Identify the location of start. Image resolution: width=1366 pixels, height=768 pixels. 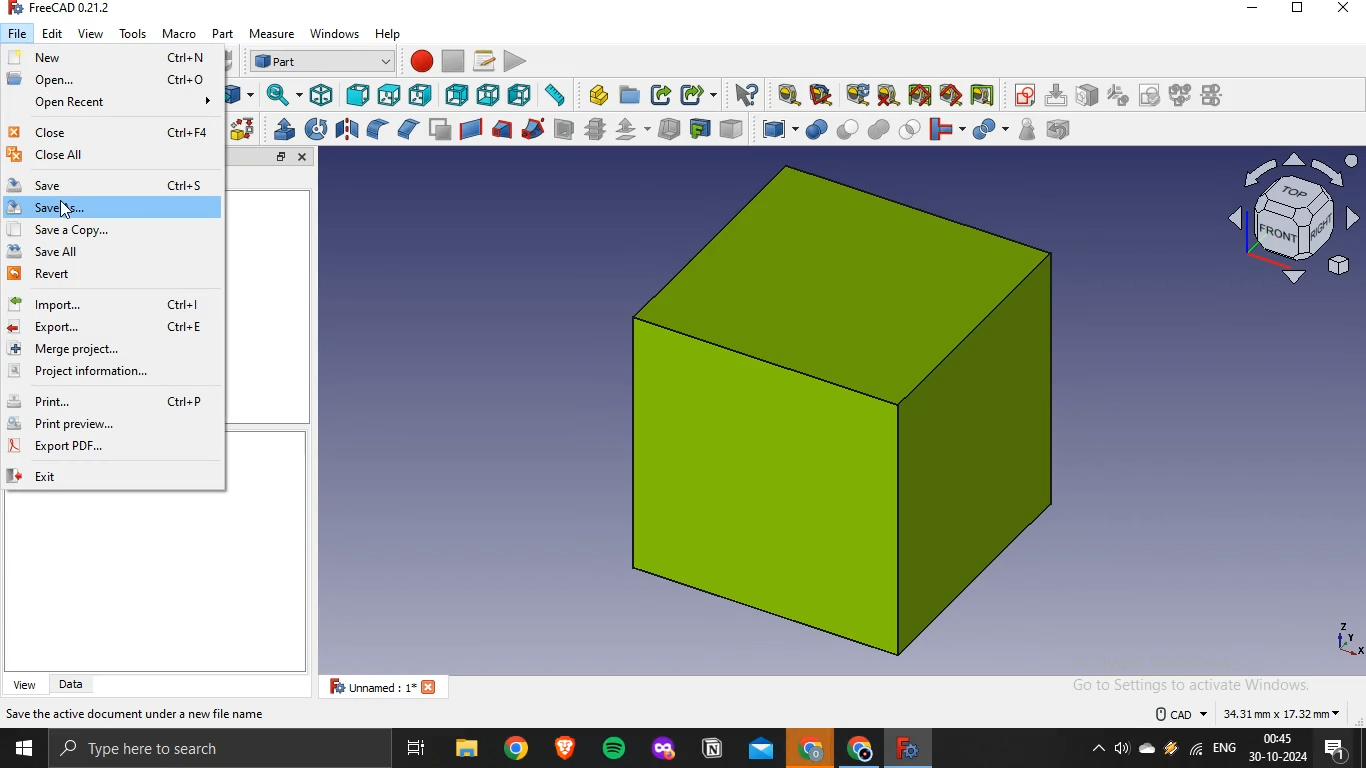
(20, 751).